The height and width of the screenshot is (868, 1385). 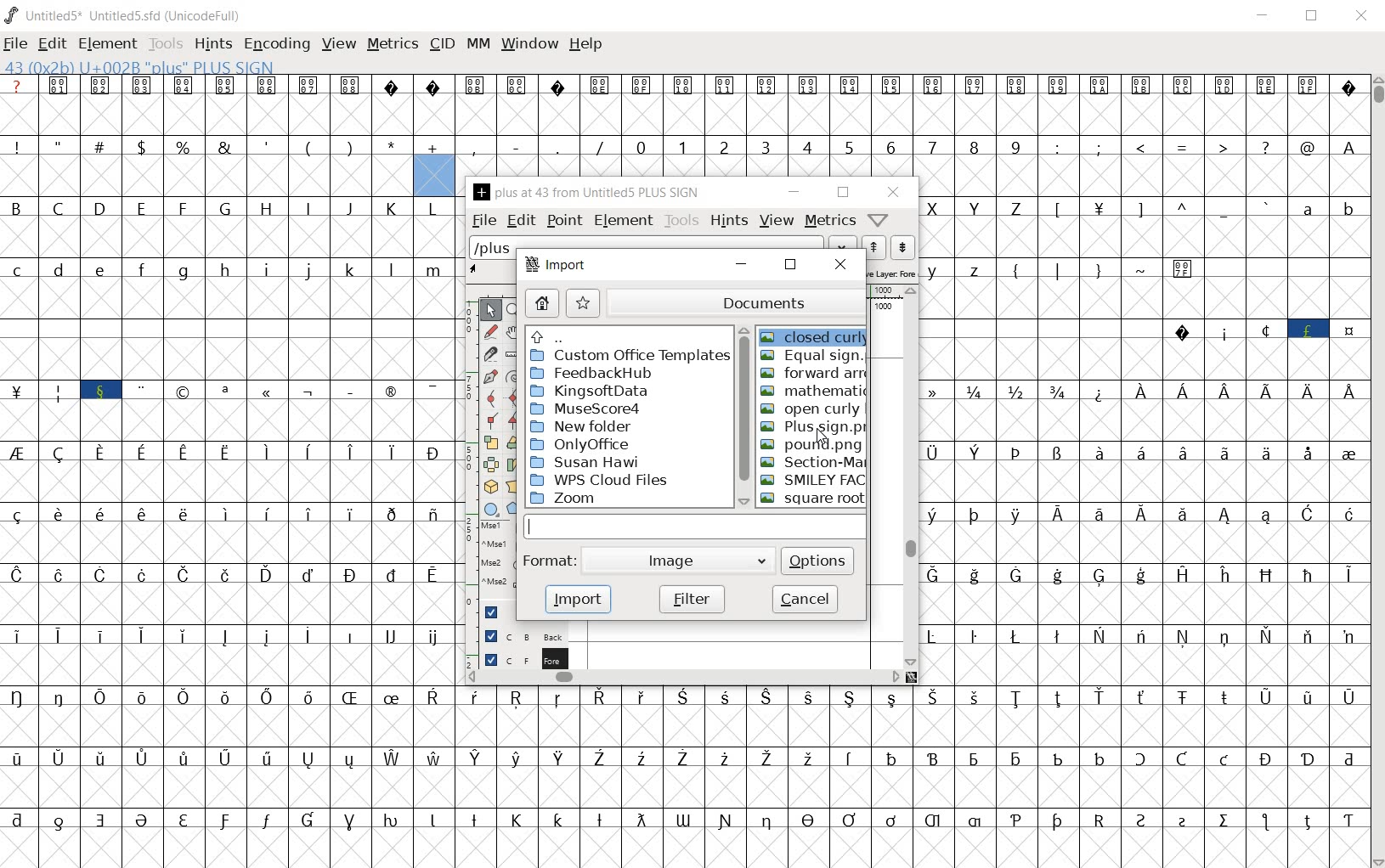 I want to click on encoding, so click(x=276, y=42).